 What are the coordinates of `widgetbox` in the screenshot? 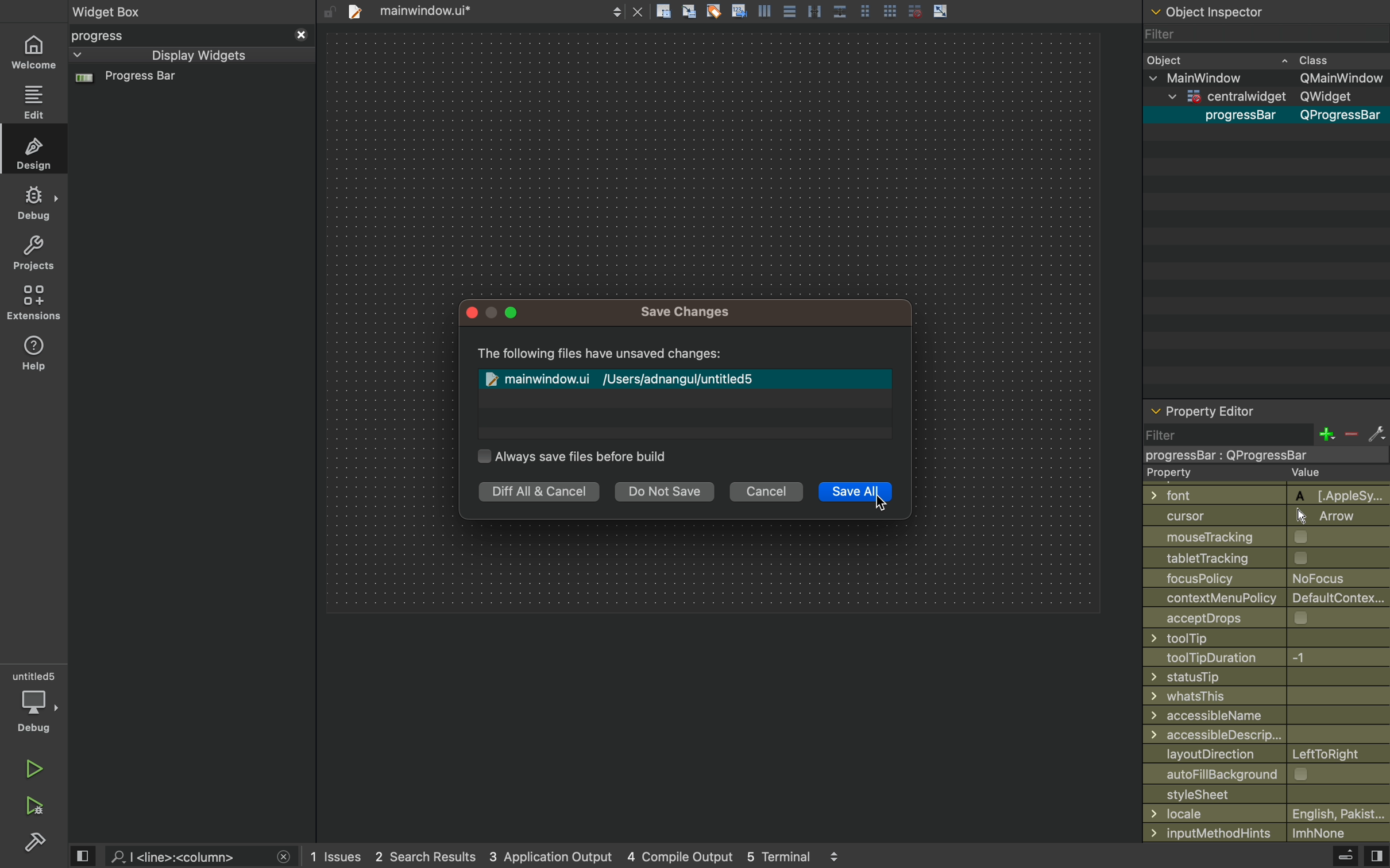 It's located at (154, 11).